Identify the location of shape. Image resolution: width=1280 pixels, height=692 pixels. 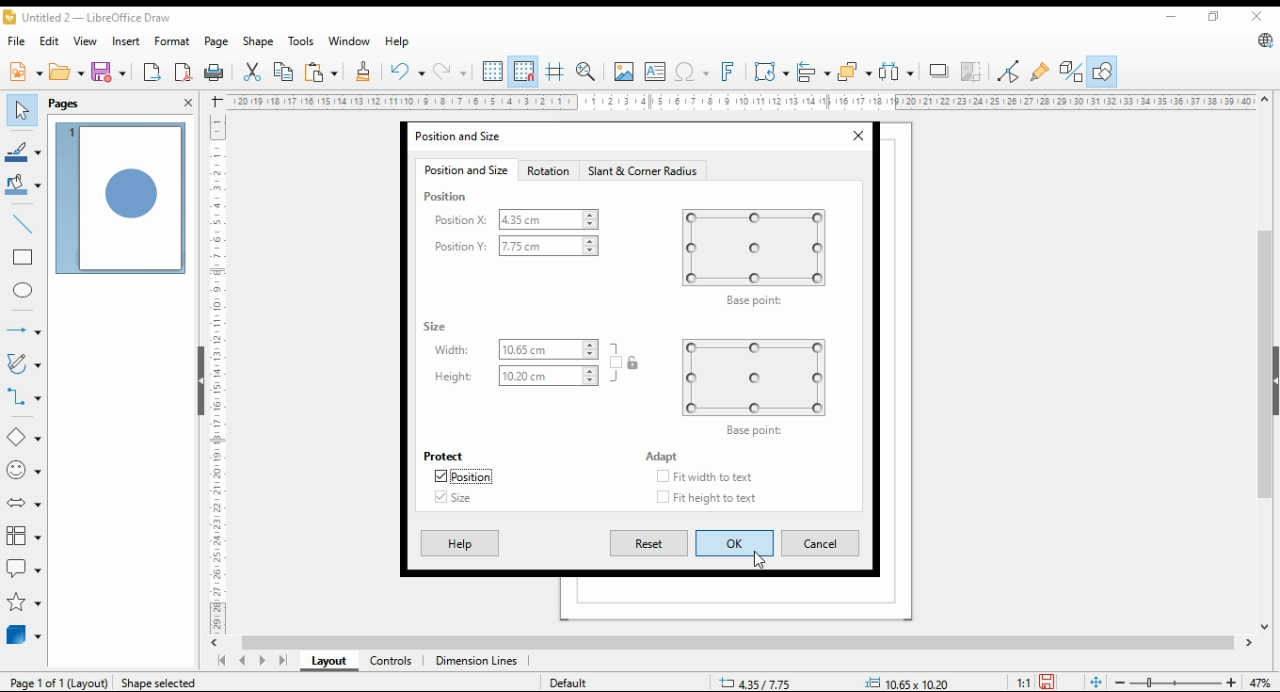
(258, 42).